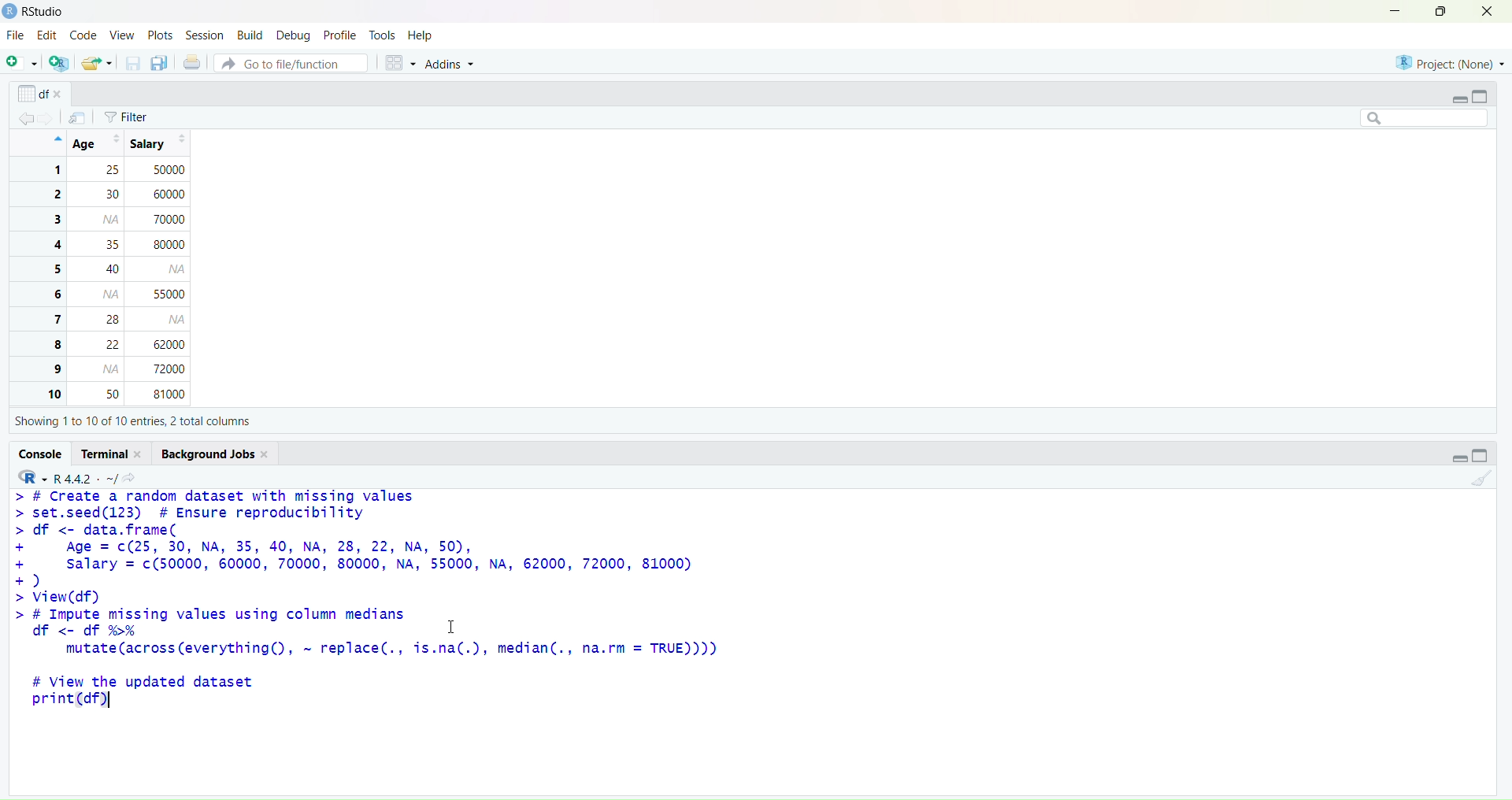  What do you see at coordinates (219, 453) in the screenshot?
I see `background jobs` at bounding box center [219, 453].